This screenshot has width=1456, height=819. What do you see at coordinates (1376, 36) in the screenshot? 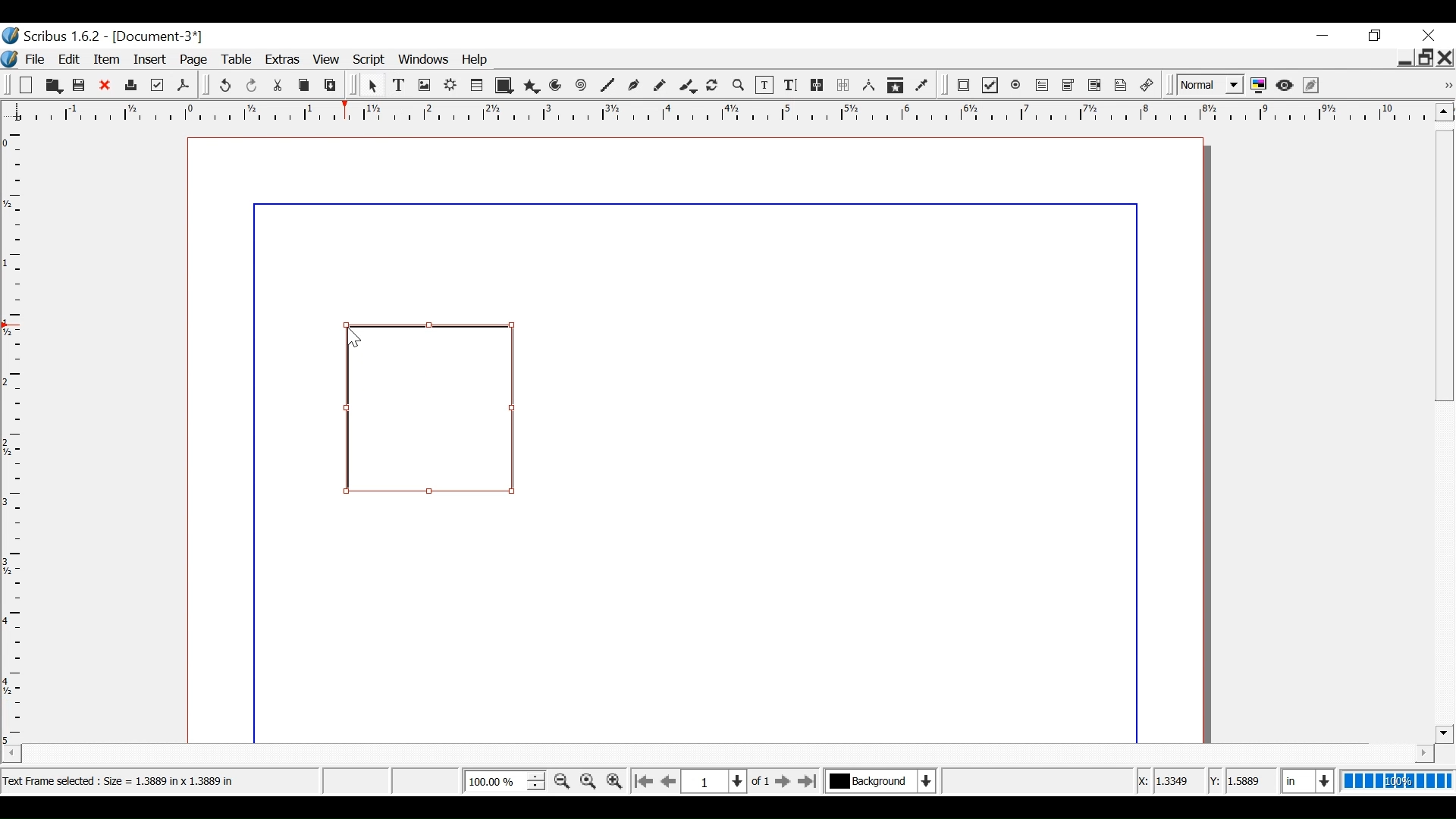
I see `Restore` at bounding box center [1376, 36].